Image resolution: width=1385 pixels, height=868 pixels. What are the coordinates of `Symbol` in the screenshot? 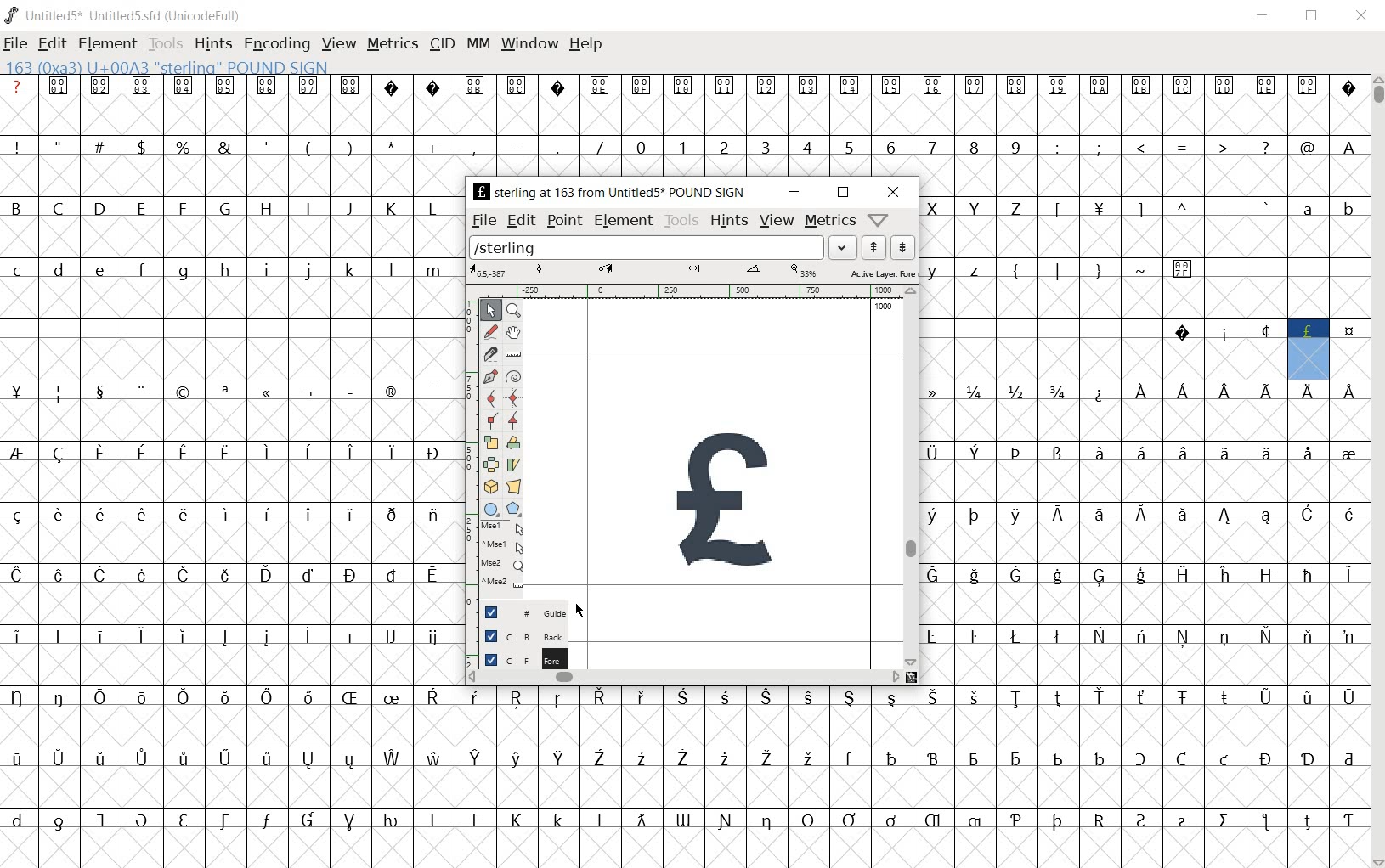 It's located at (181, 759).